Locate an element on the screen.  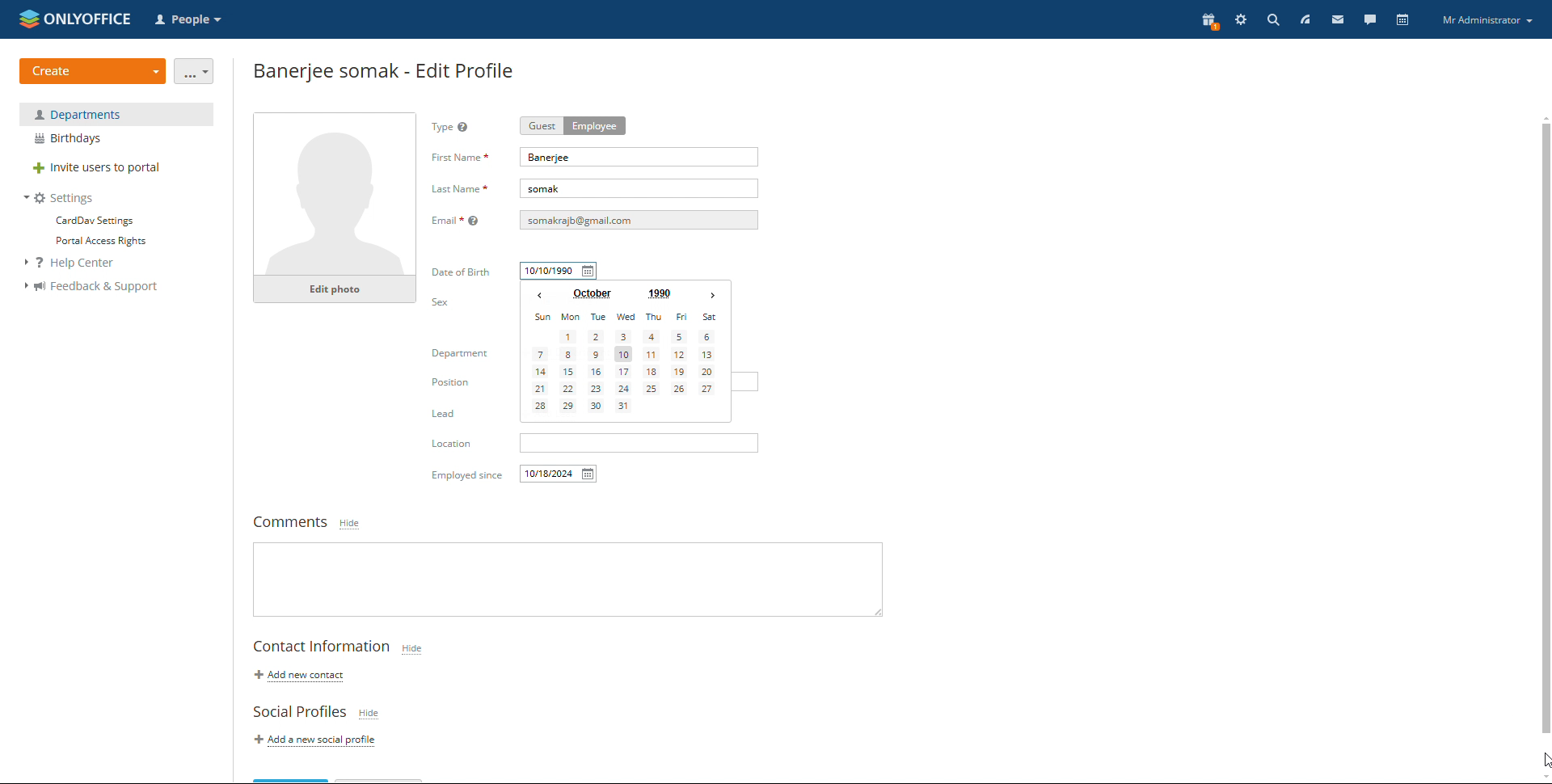
set month is located at coordinates (593, 294).